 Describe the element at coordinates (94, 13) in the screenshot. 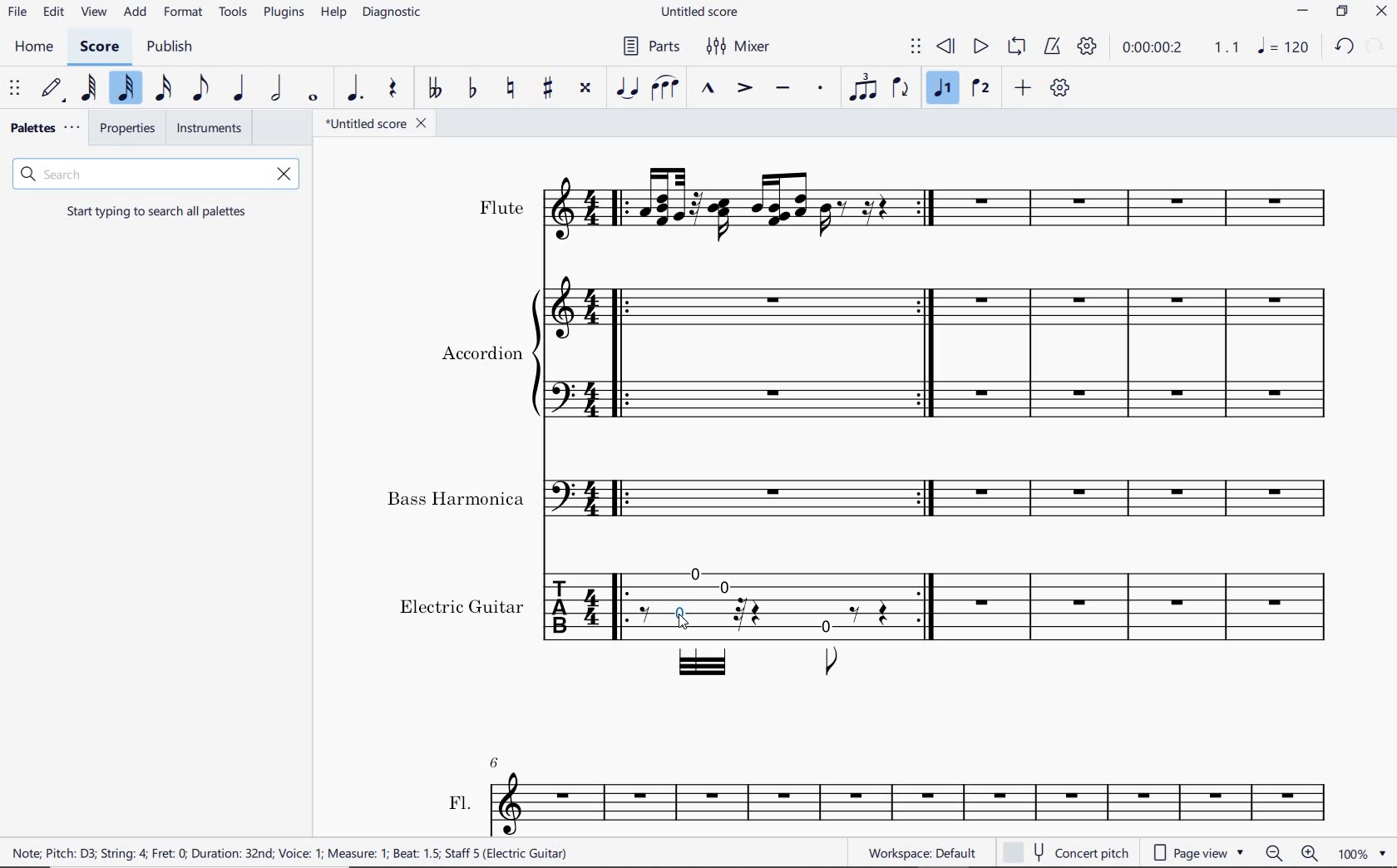

I see `view` at that location.